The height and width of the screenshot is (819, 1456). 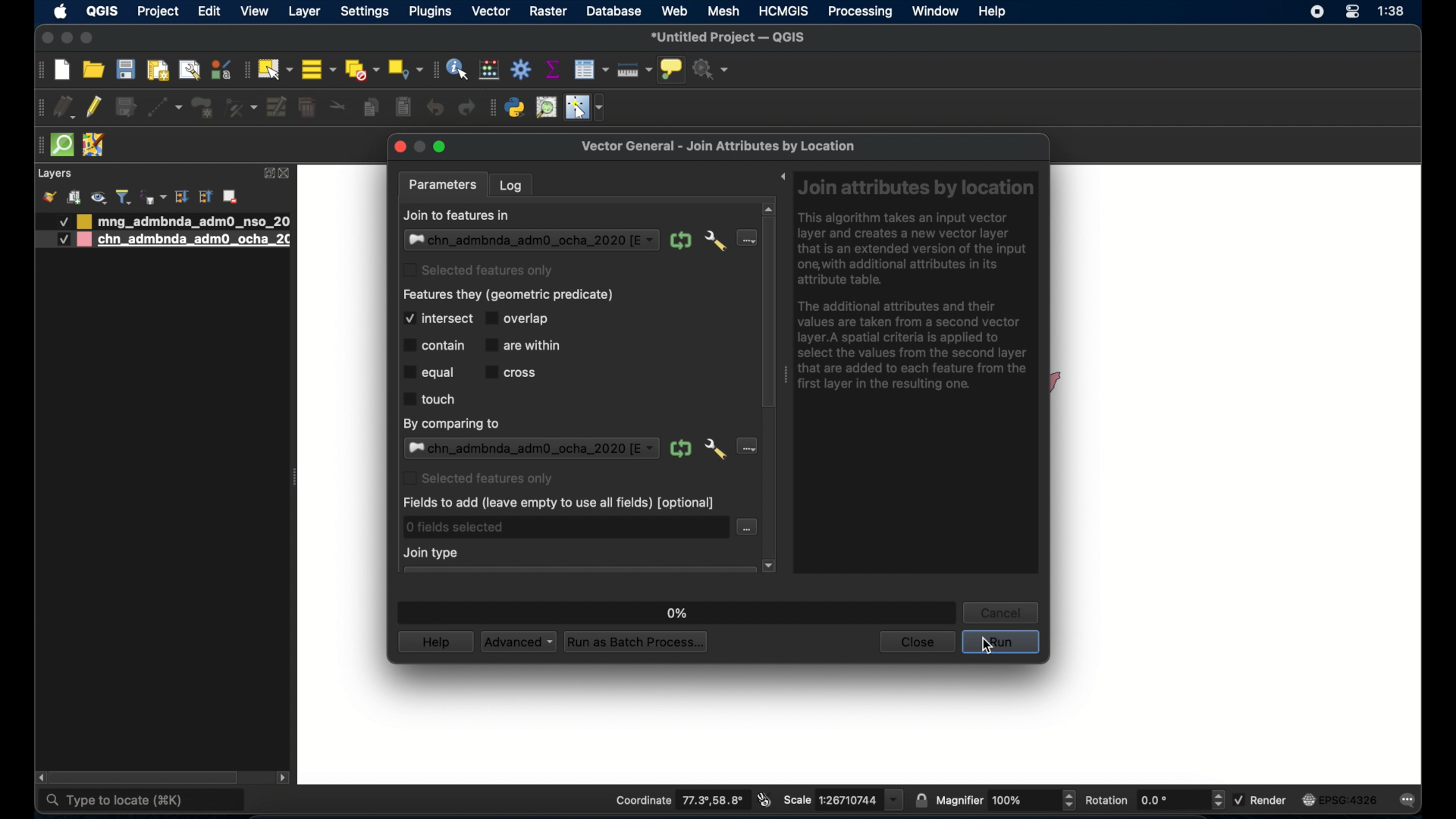 What do you see at coordinates (744, 238) in the screenshot?
I see `menu button` at bounding box center [744, 238].